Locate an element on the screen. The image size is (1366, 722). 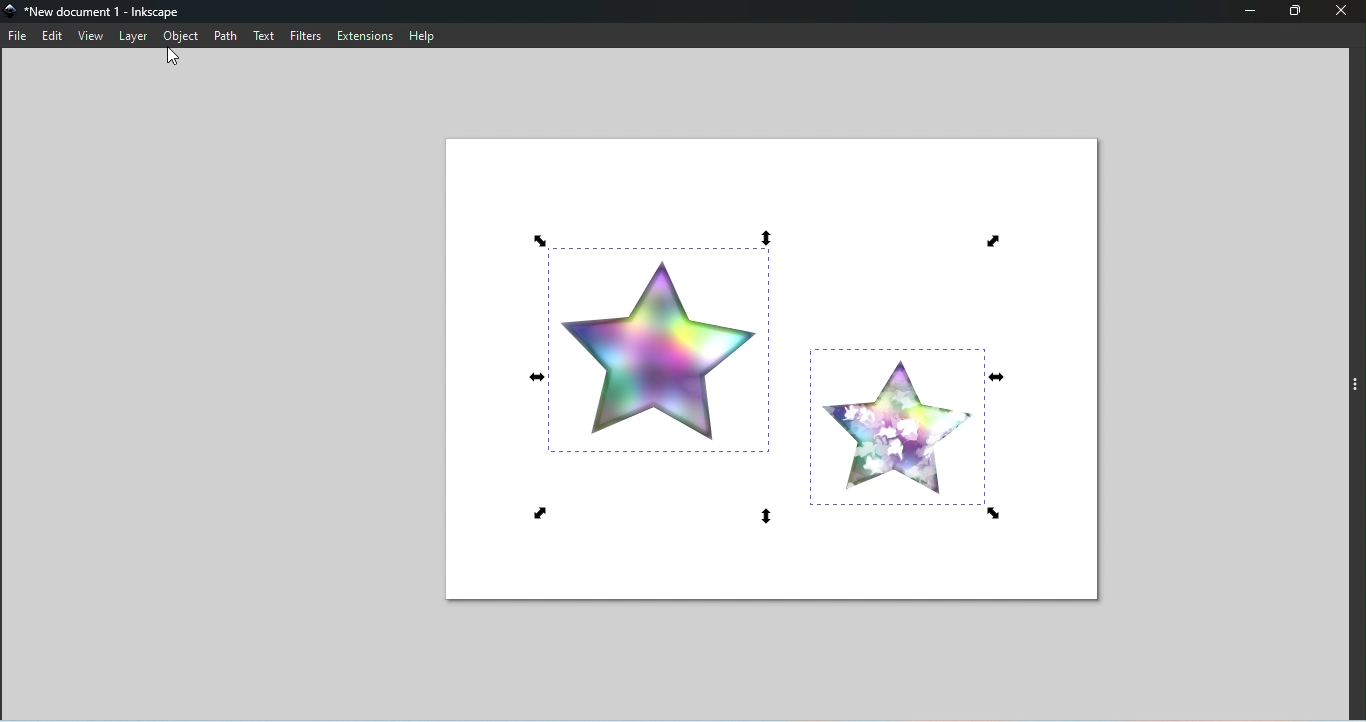
Path is located at coordinates (225, 34).